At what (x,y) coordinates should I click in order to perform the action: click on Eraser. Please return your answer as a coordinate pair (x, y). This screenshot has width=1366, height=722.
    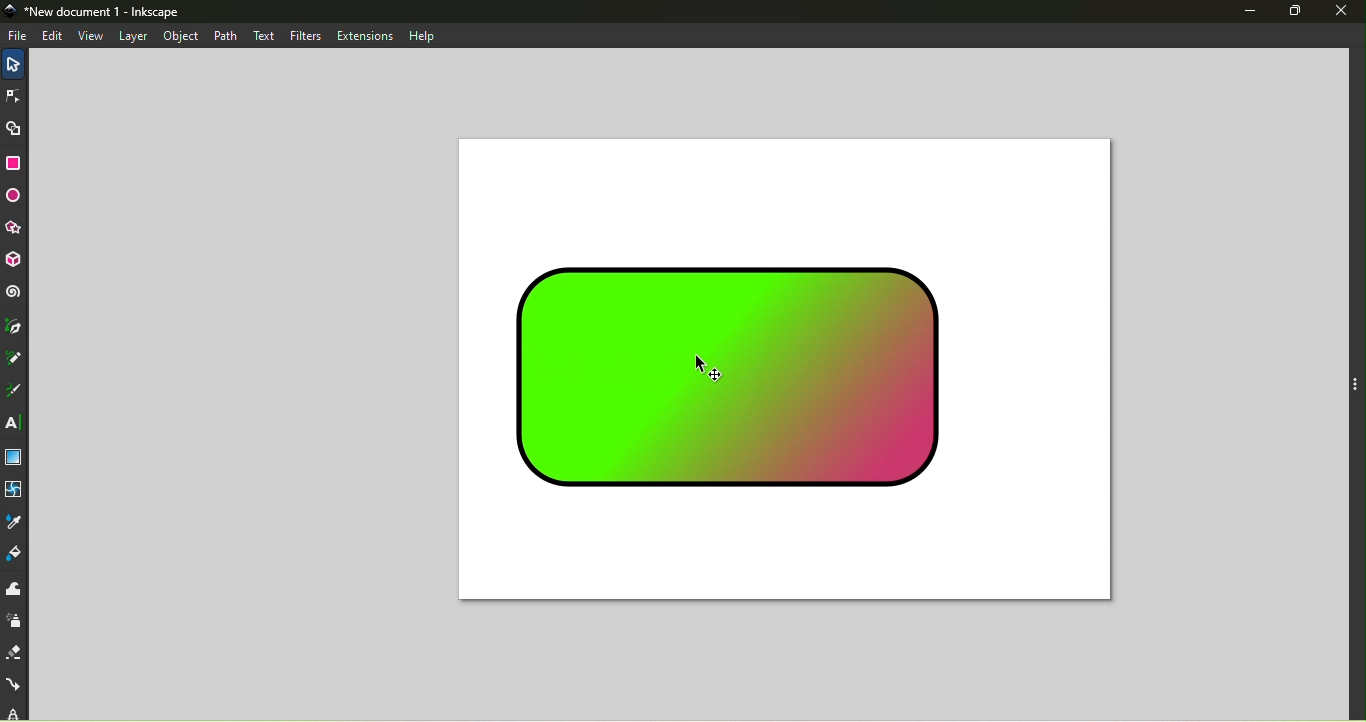
    Looking at the image, I should click on (15, 649).